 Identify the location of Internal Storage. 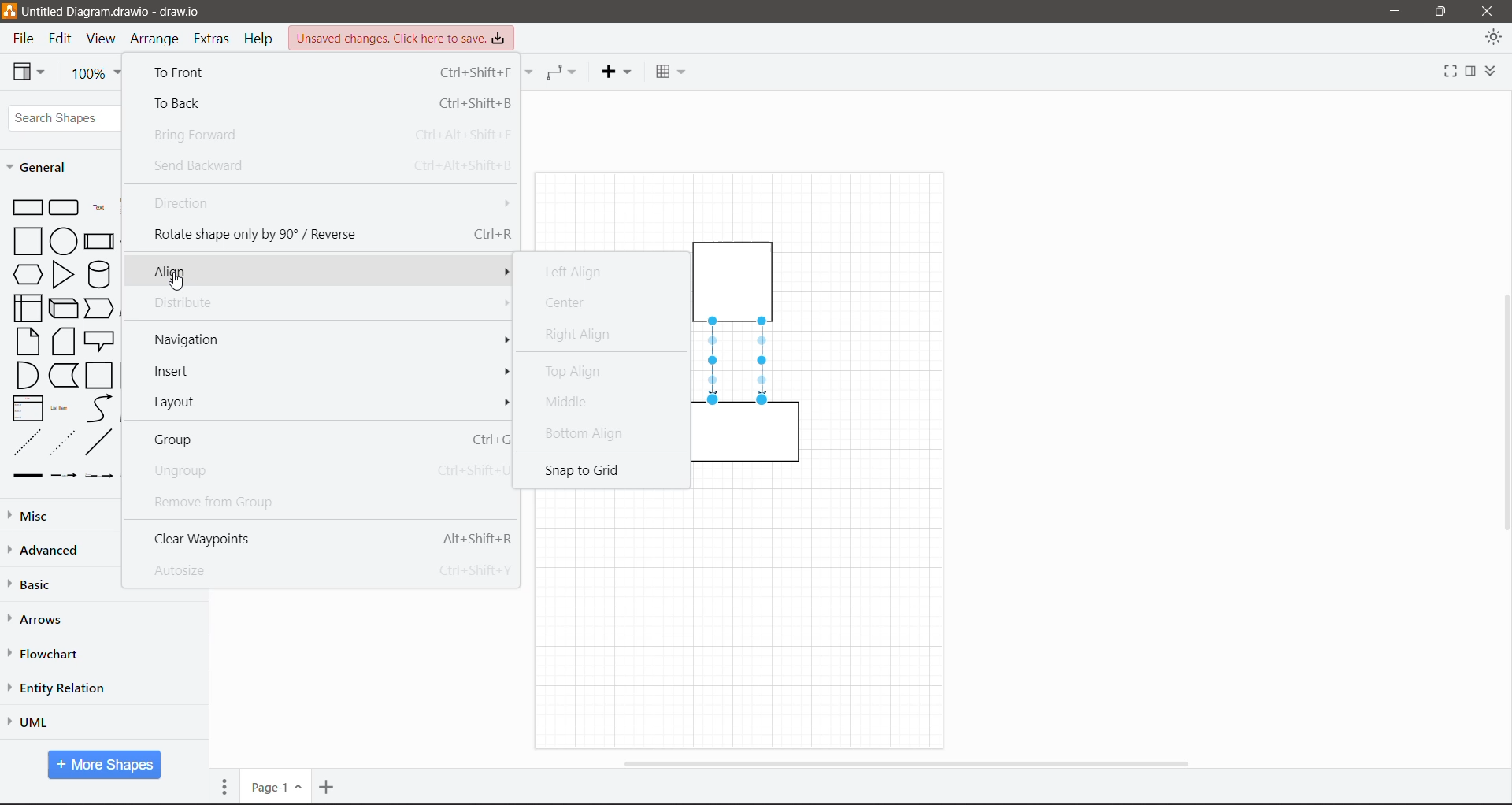
(26, 307).